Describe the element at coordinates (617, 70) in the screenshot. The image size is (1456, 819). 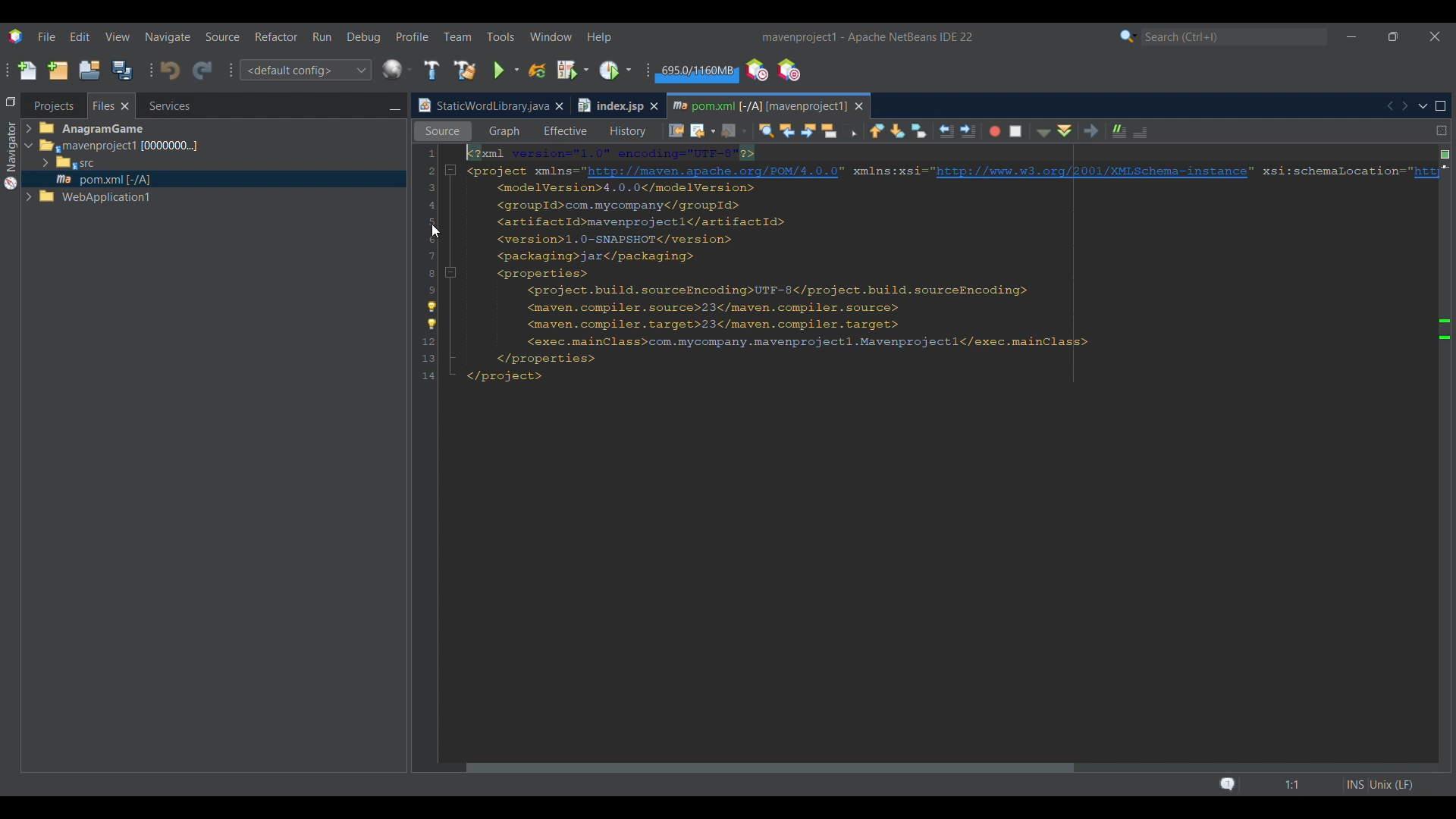
I see `Profile main project options` at that location.